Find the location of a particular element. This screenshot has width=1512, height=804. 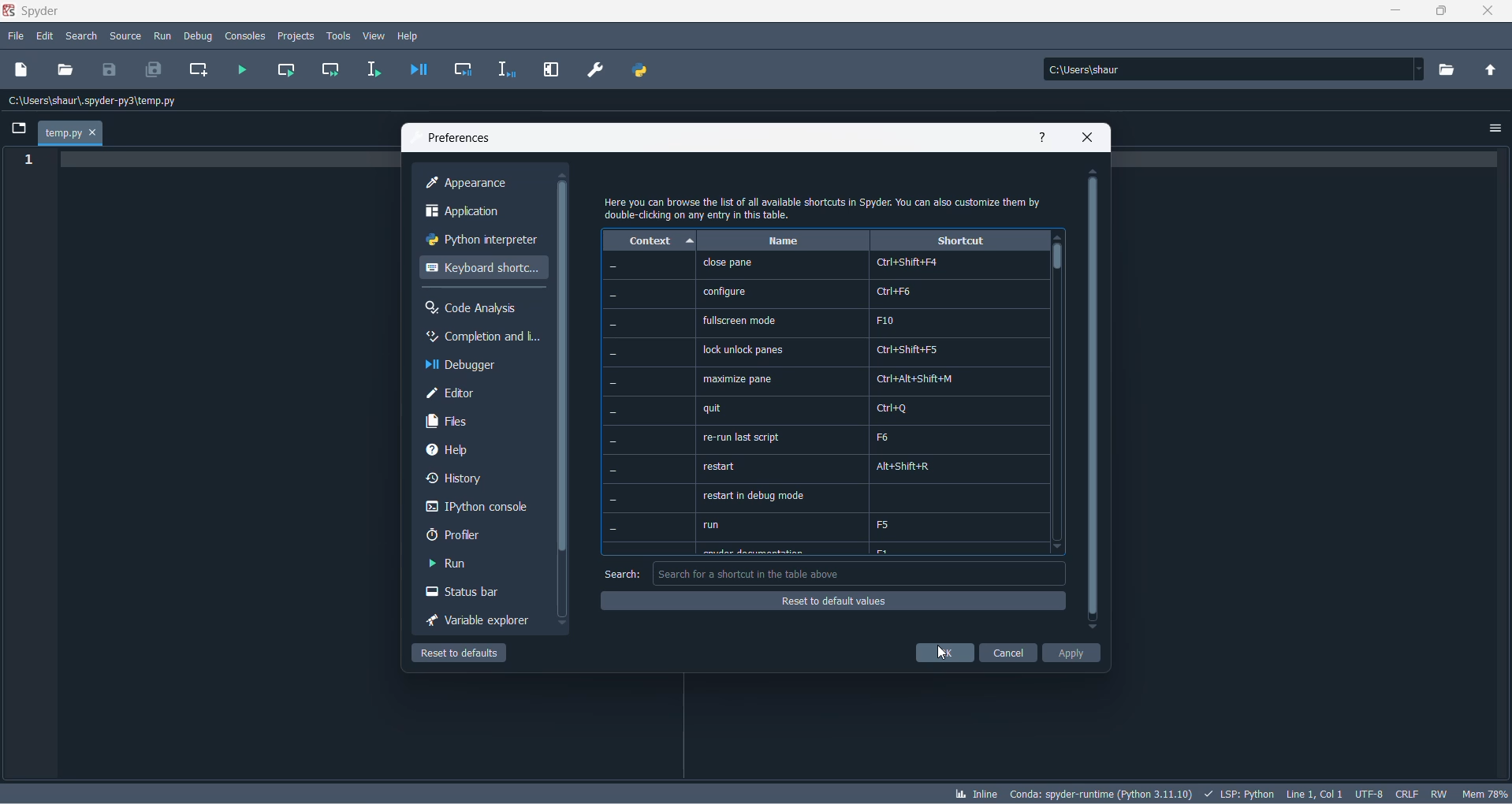

debug is located at coordinates (198, 34).